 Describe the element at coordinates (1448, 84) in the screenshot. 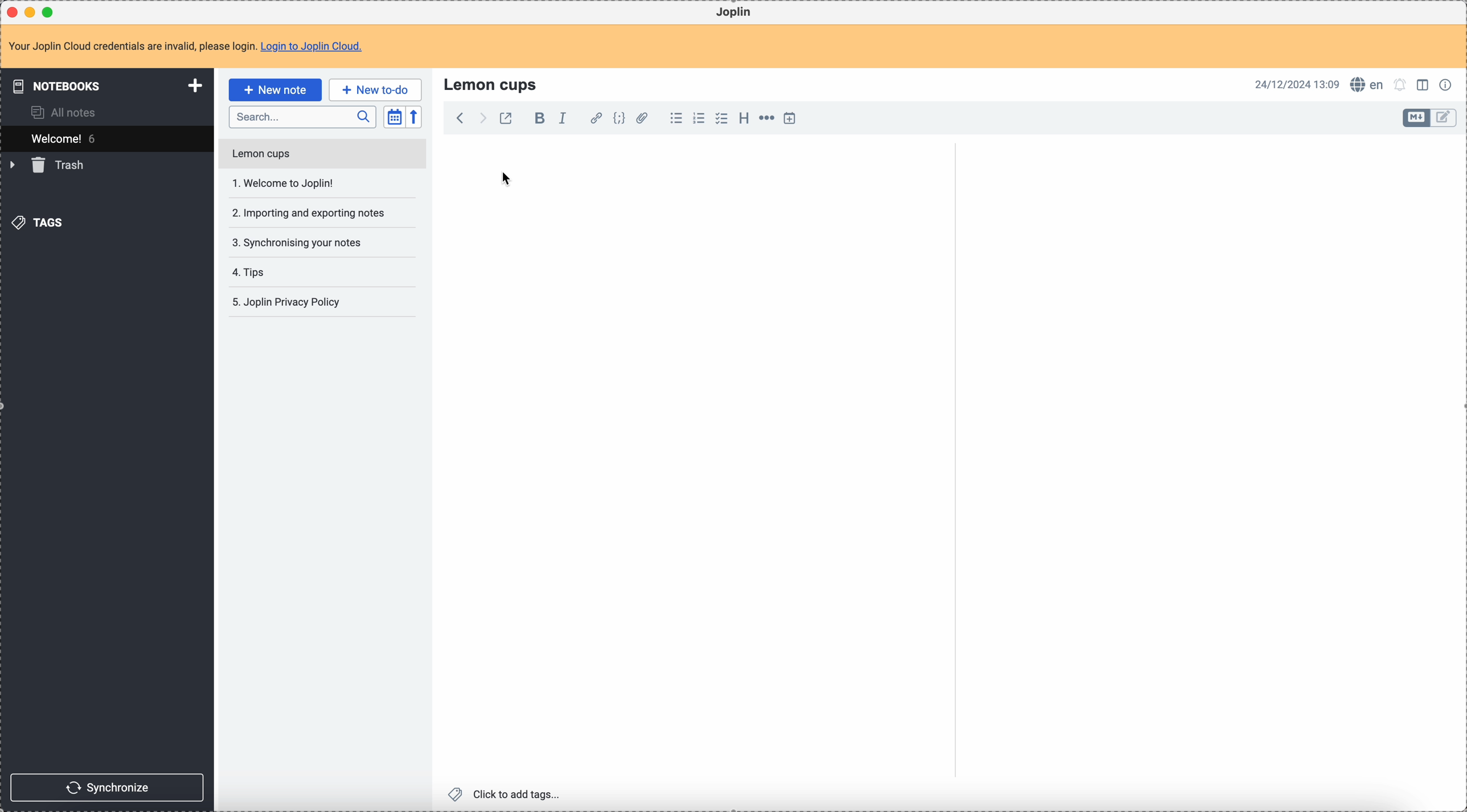

I see `note properties` at that location.